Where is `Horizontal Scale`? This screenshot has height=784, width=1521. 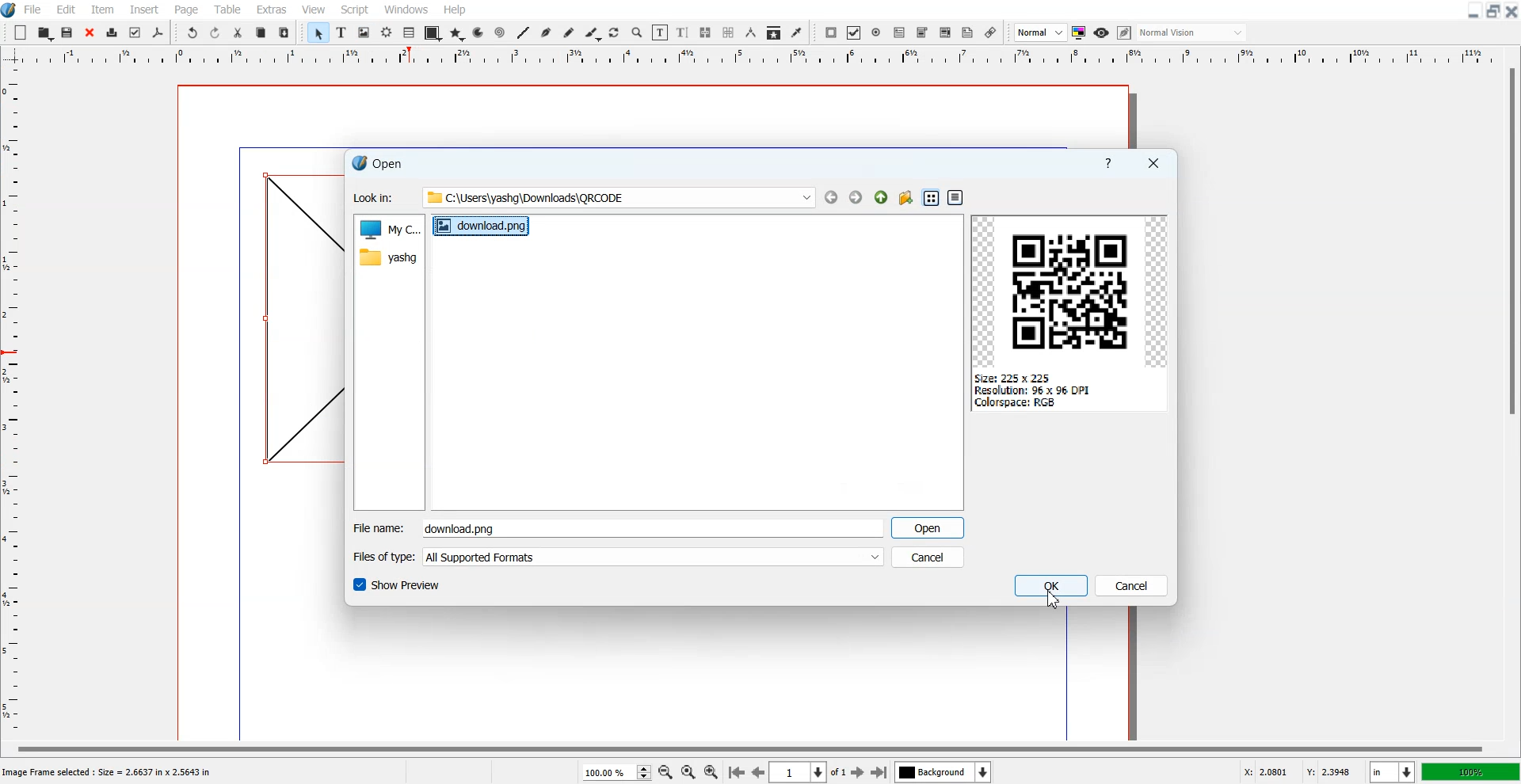
Horizontal Scale is located at coordinates (15, 403).